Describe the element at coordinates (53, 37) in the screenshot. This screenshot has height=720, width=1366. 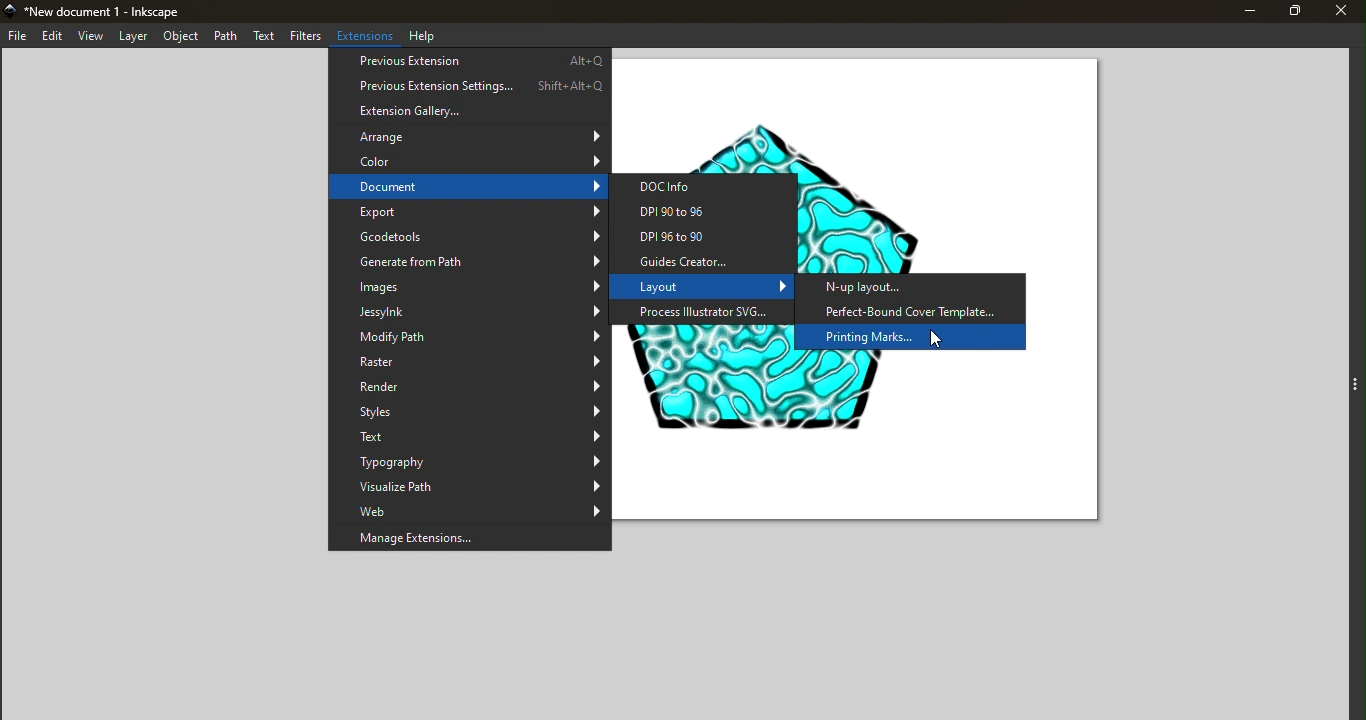
I see `Edit` at that location.